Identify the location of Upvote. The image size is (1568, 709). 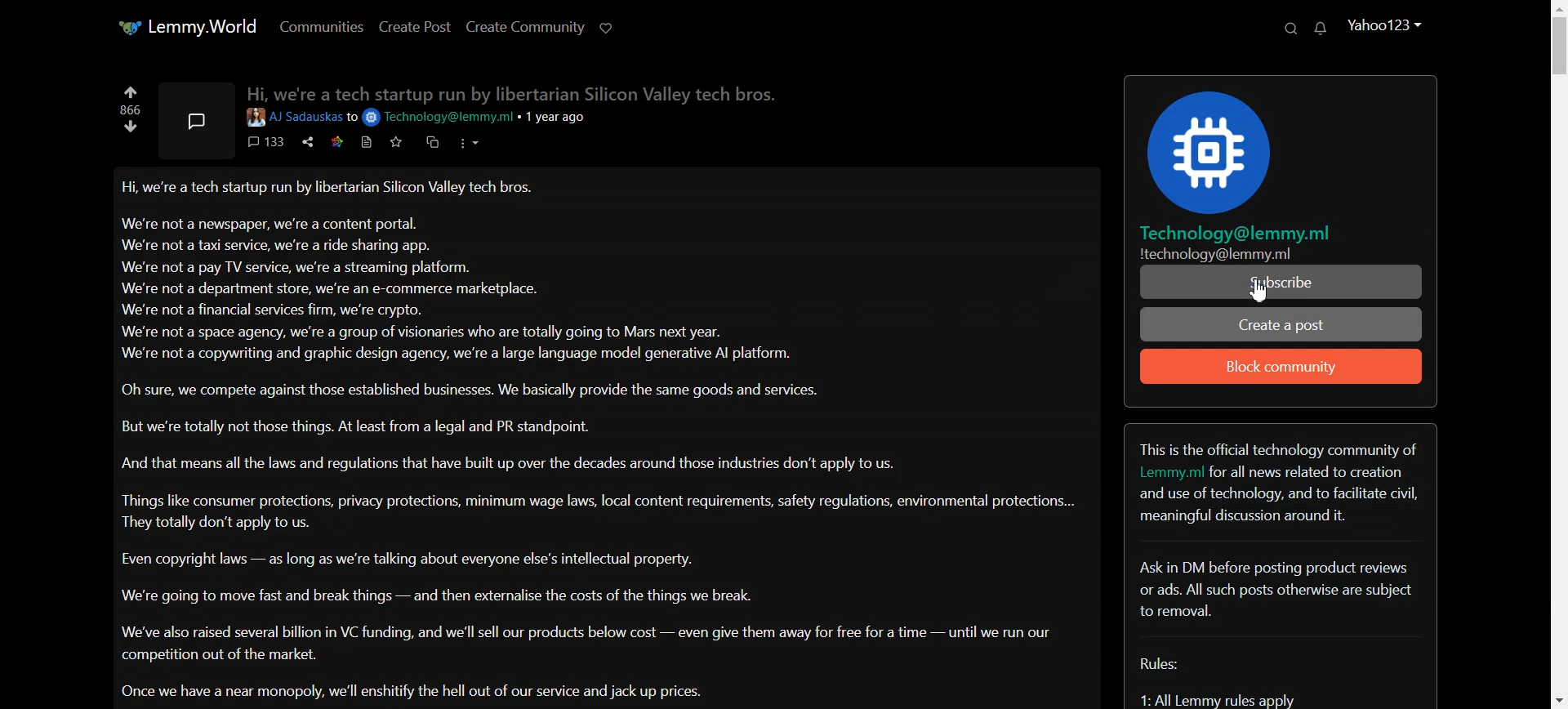
(131, 91).